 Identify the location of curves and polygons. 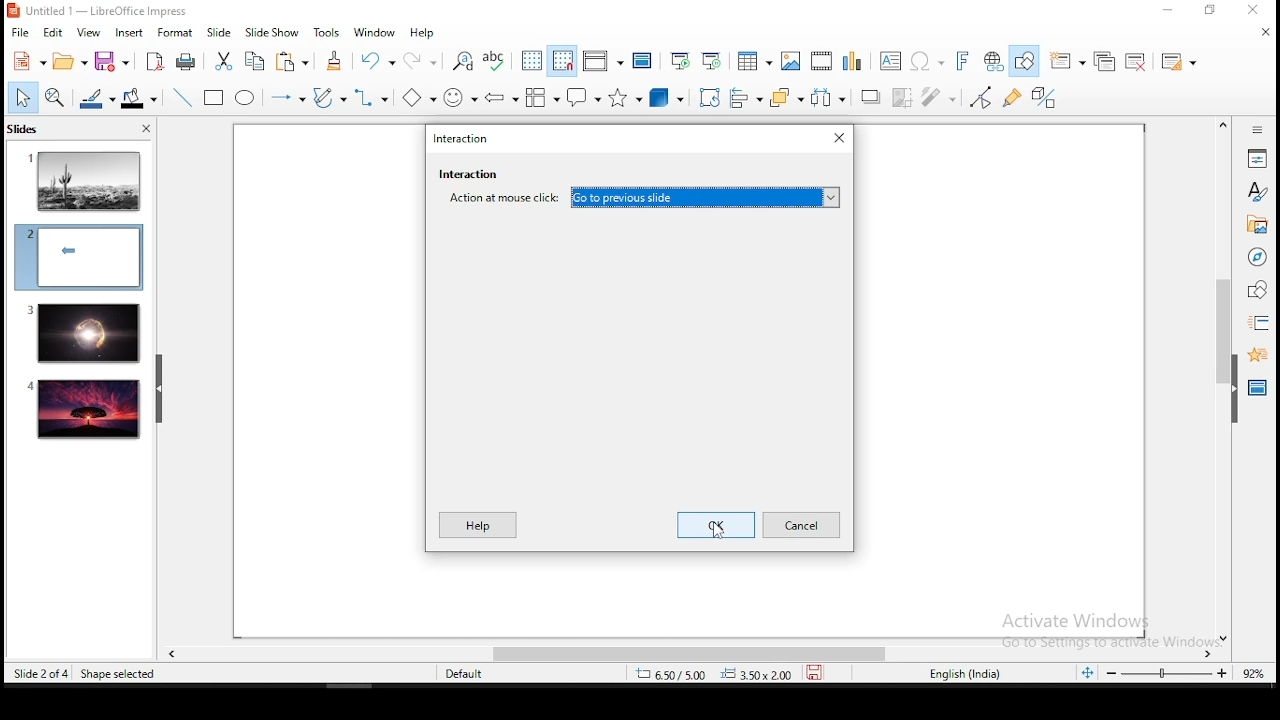
(328, 98).